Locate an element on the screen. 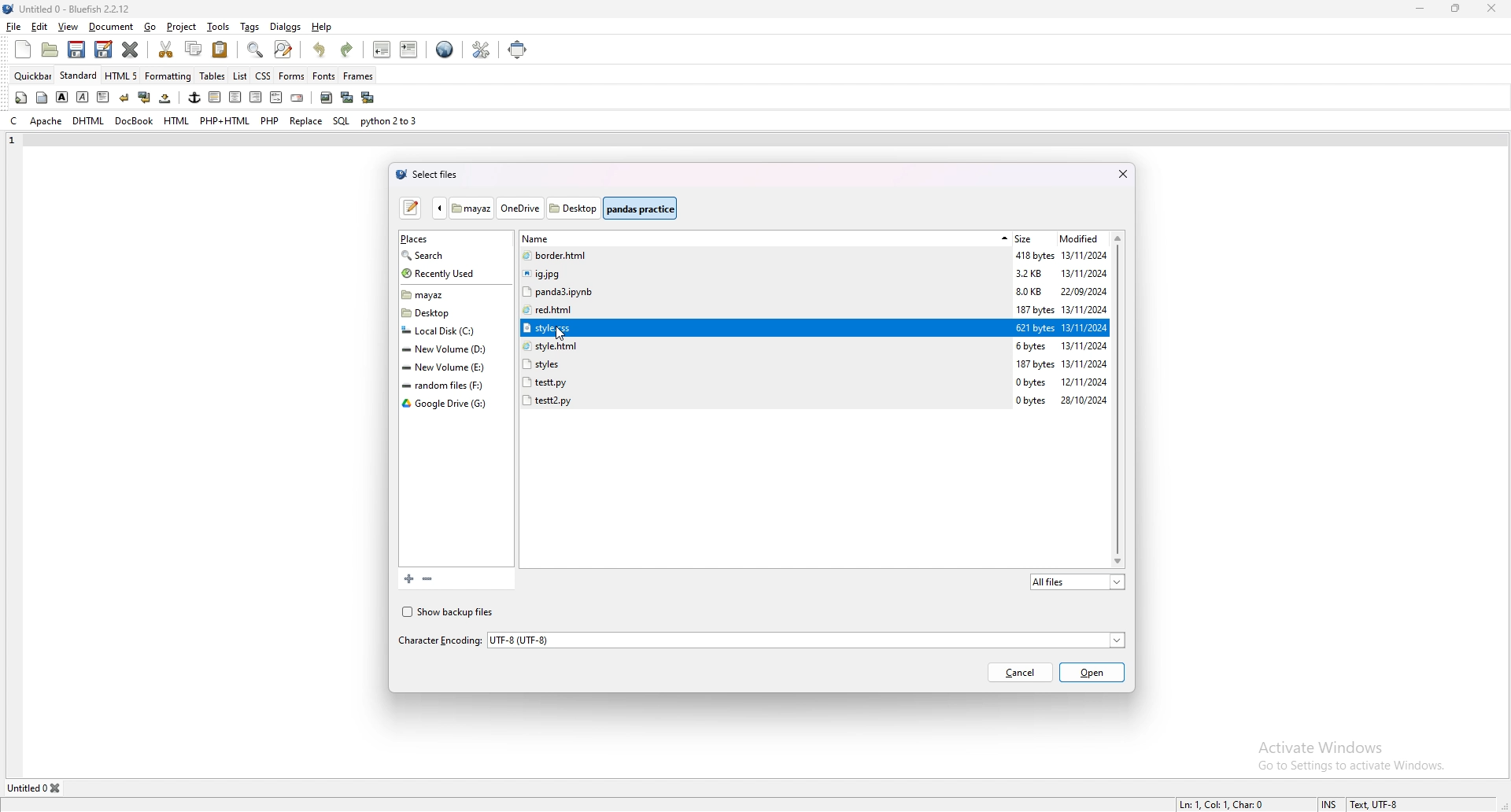 This screenshot has height=812, width=1511. fonts is located at coordinates (324, 76).